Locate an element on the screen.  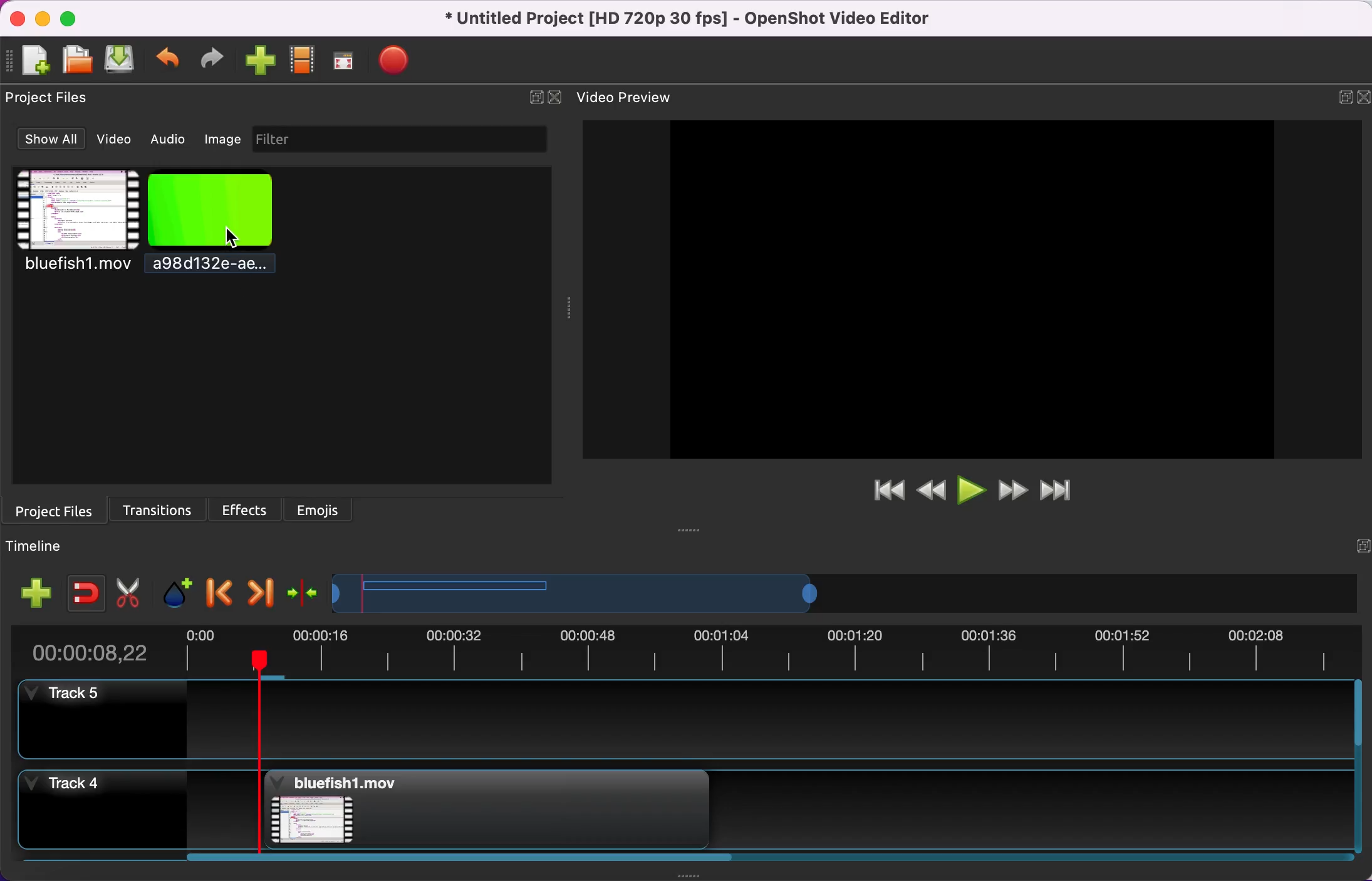
show all is located at coordinates (49, 139).